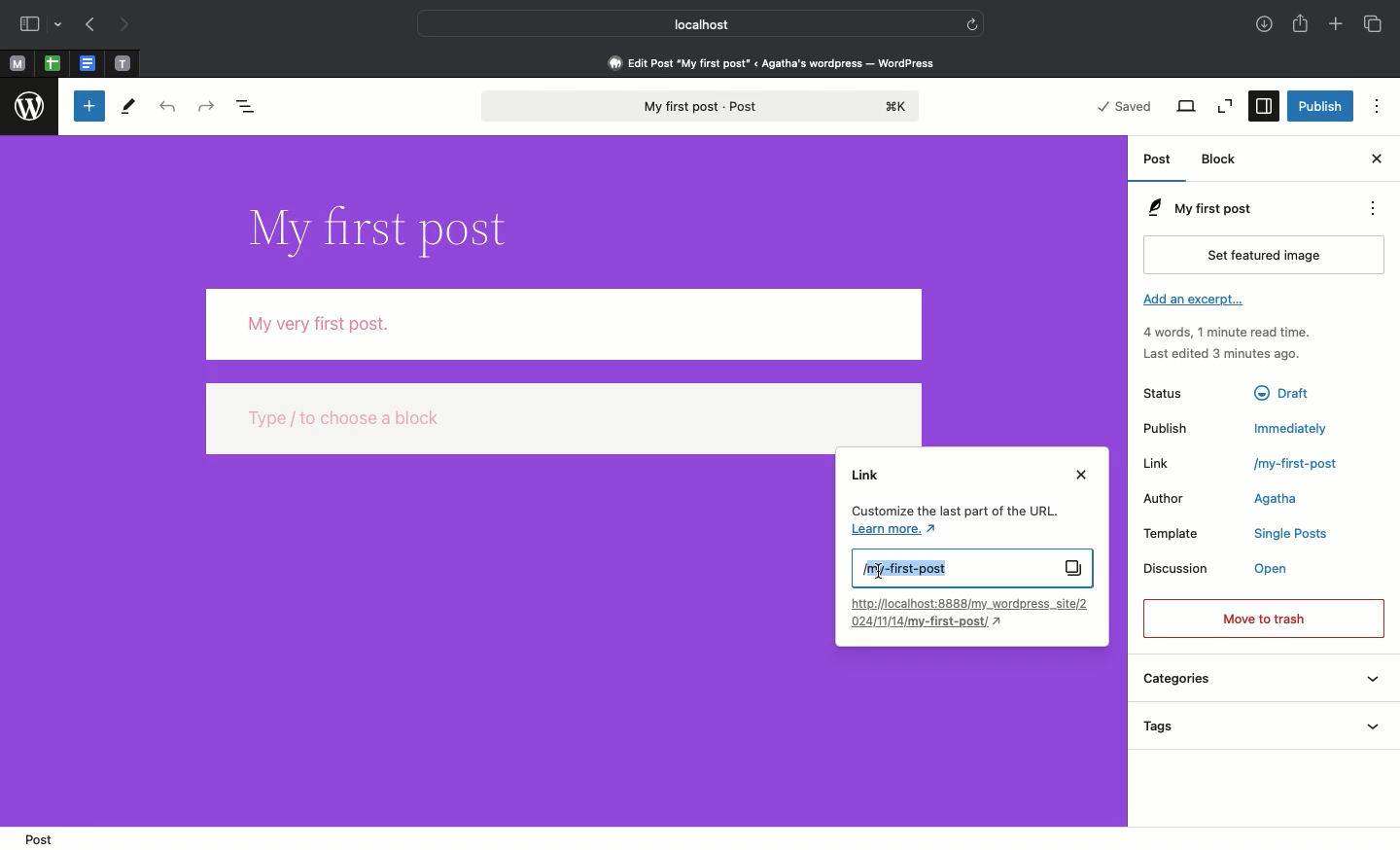  What do you see at coordinates (1378, 160) in the screenshot?
I see `Close` at bounding box center [1378, 160].